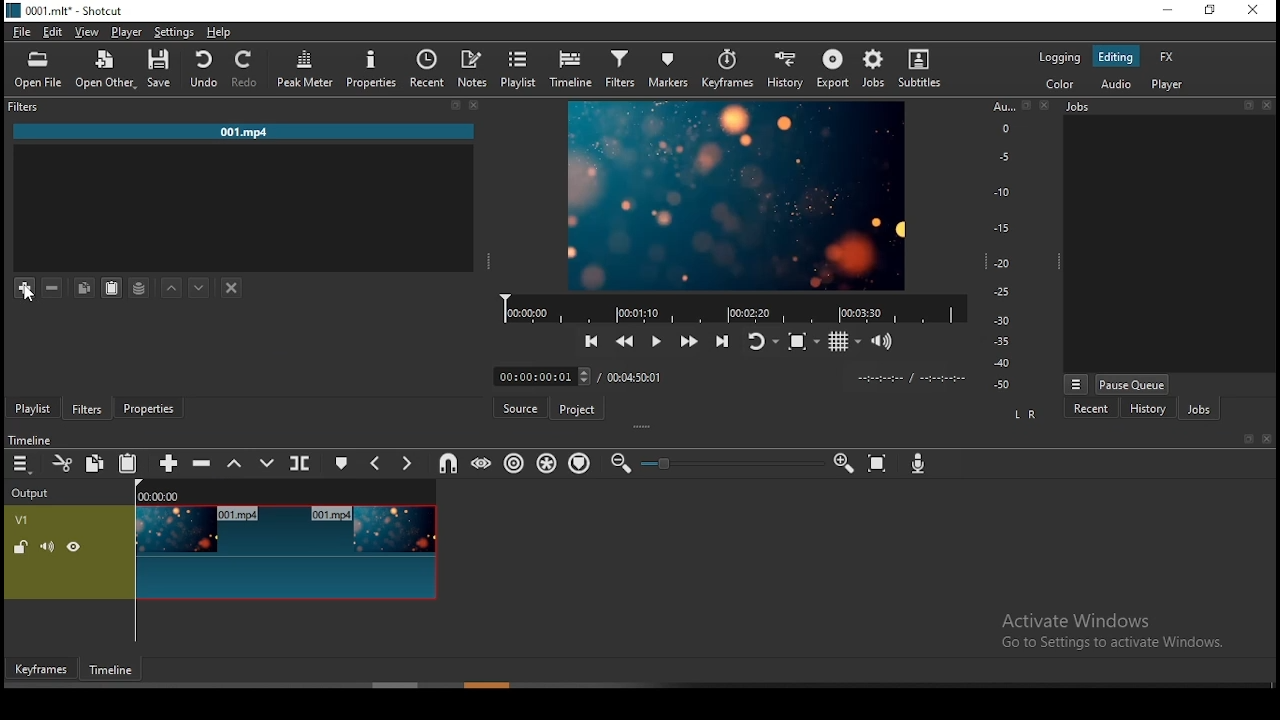 Image resolution: width=1280 pixels, height=720 pixels. I want to click on scroll bar, so click(491, 685).